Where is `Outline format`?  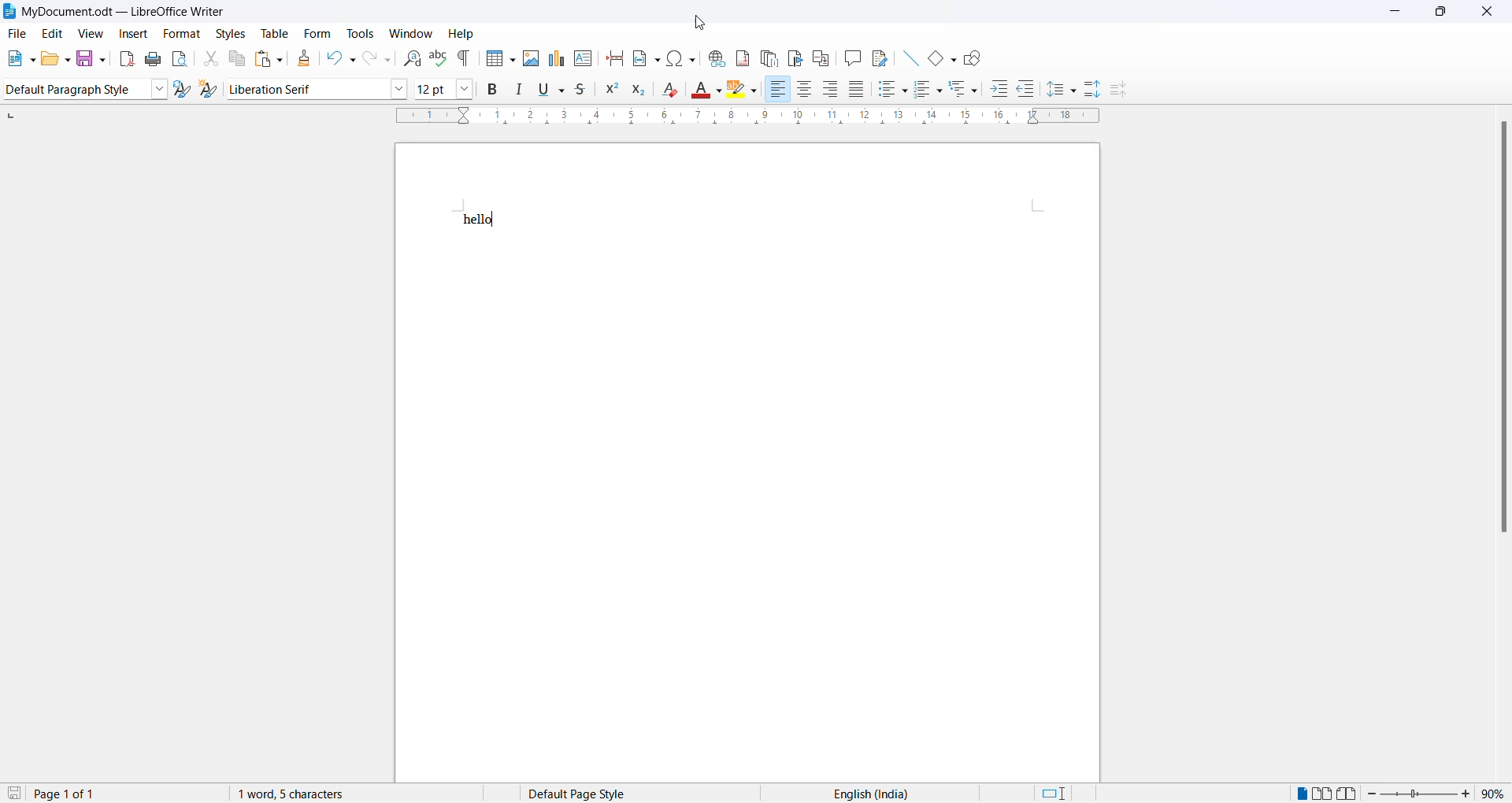 Outline format is located at coordinates (965, 90).